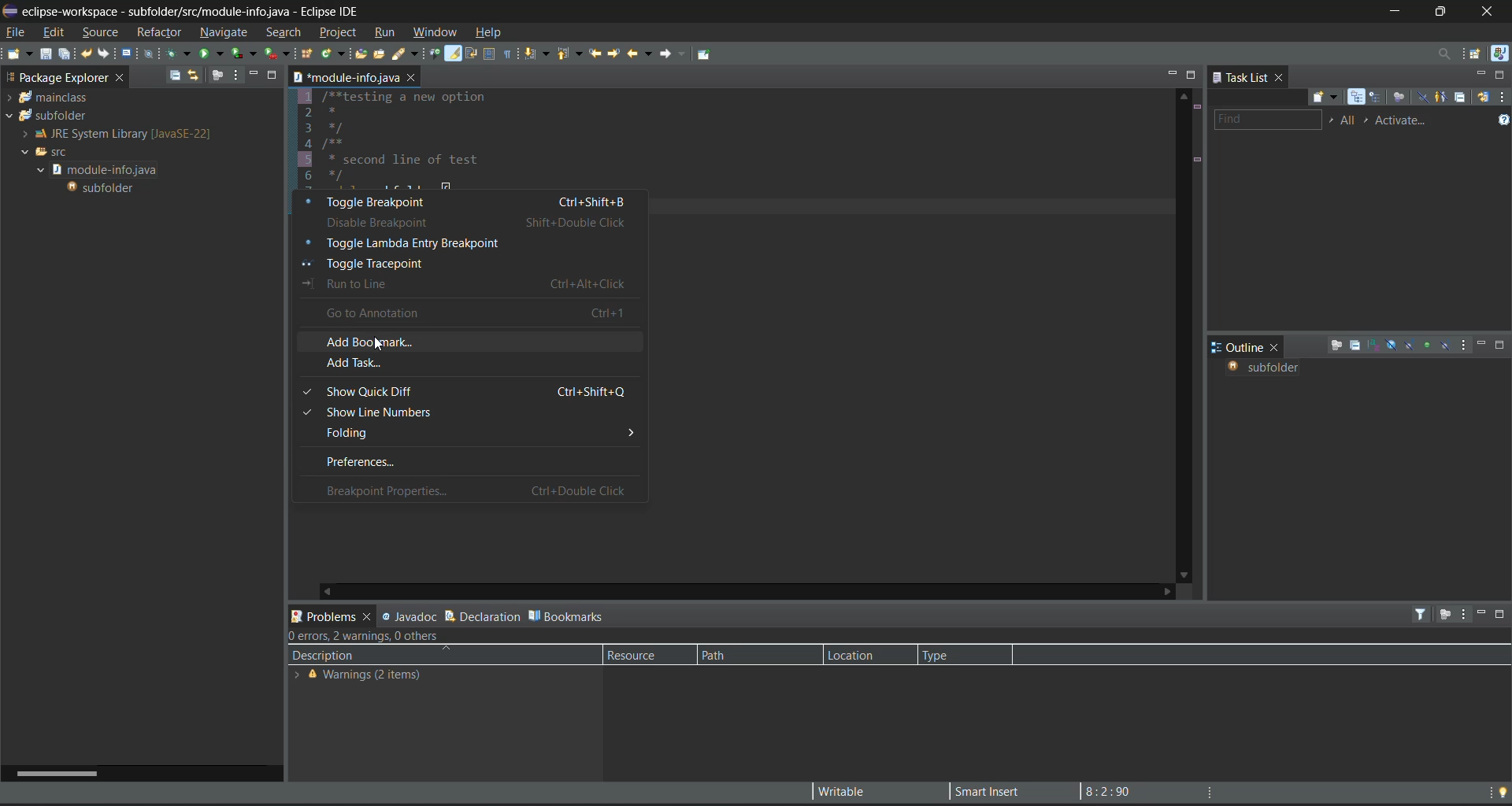 The image size is (1512, 806). I want to click on maximize, so click(1501, 346).